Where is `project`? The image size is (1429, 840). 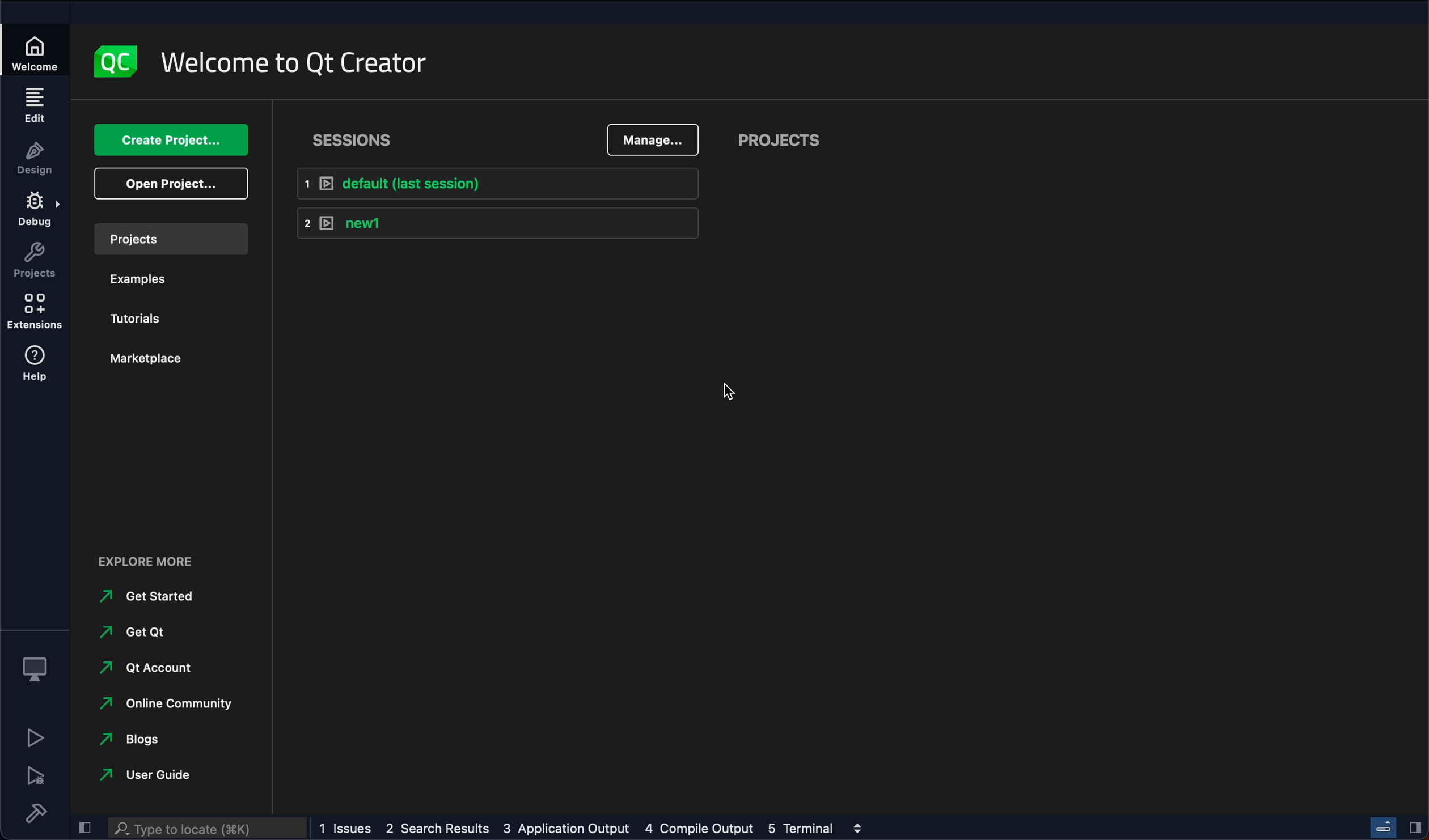
project is located at coordinates (35, 262).